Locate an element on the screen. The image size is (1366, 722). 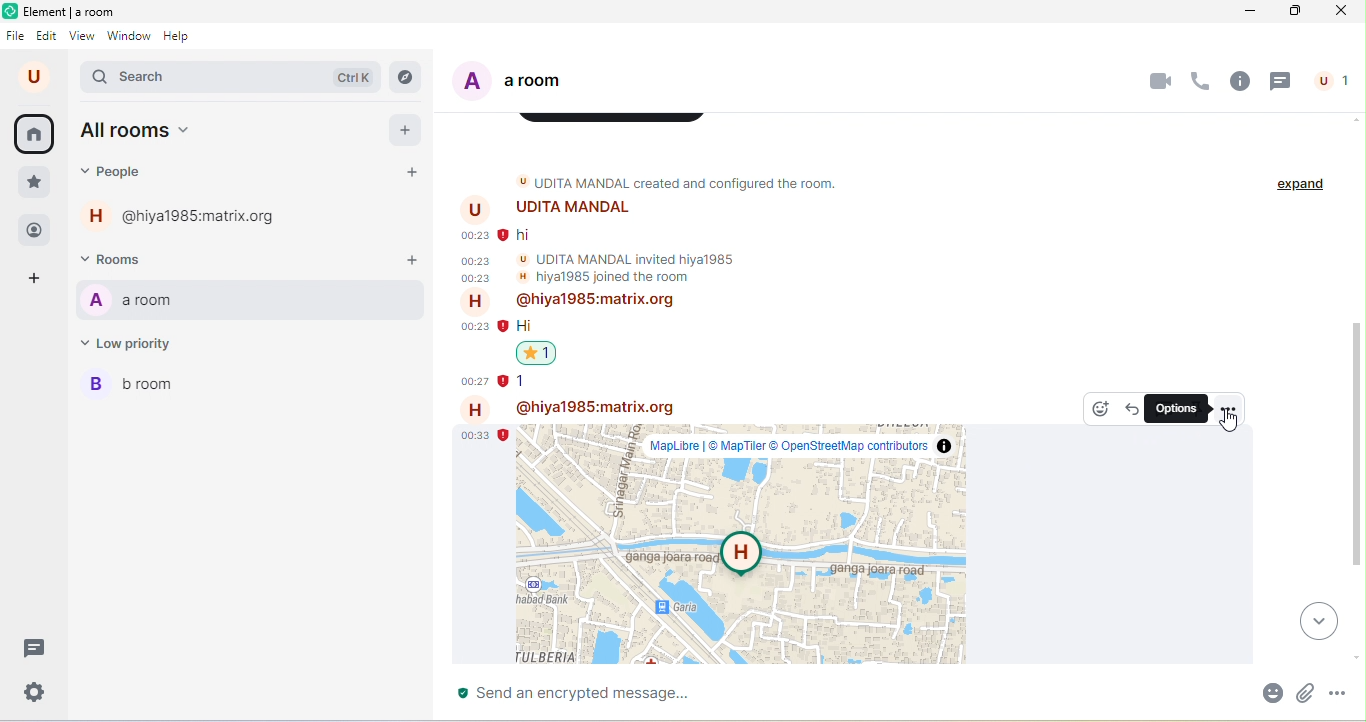
a room is located at coordinates (219, 300).